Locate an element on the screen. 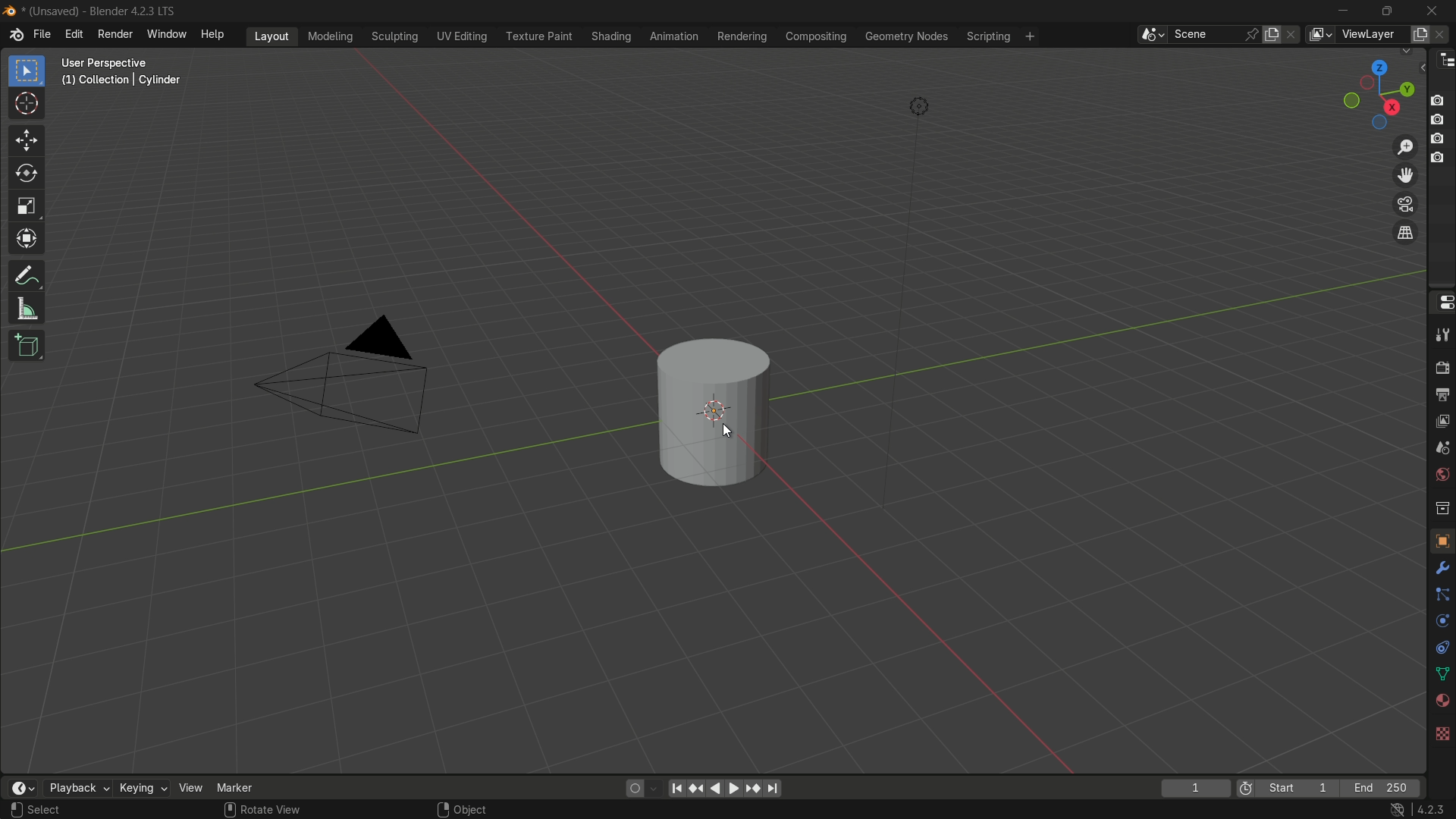  jump to endpoint is located at coordinates (774, 789).